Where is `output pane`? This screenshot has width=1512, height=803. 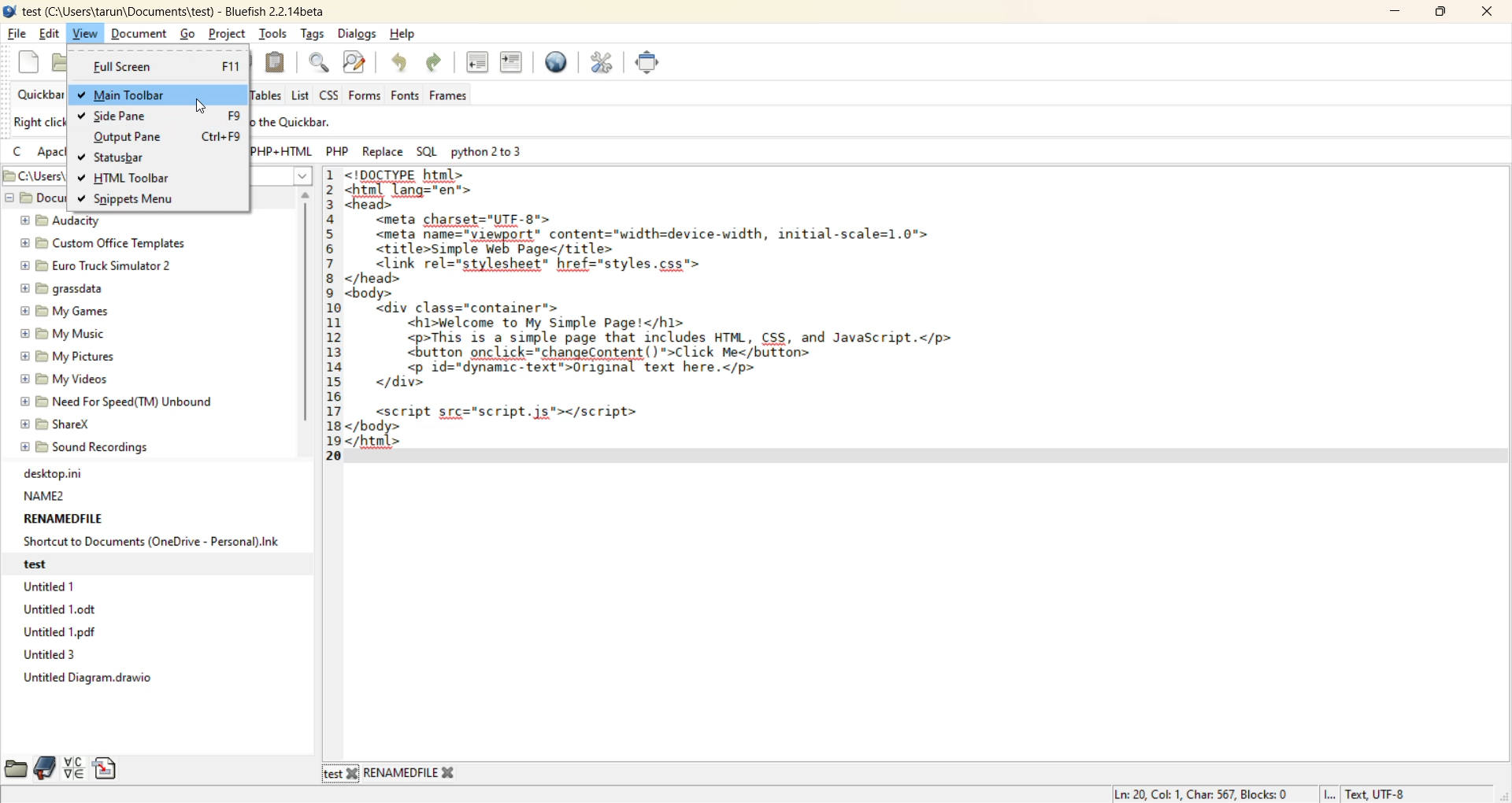 output pane is located at coordinates (132, 139).